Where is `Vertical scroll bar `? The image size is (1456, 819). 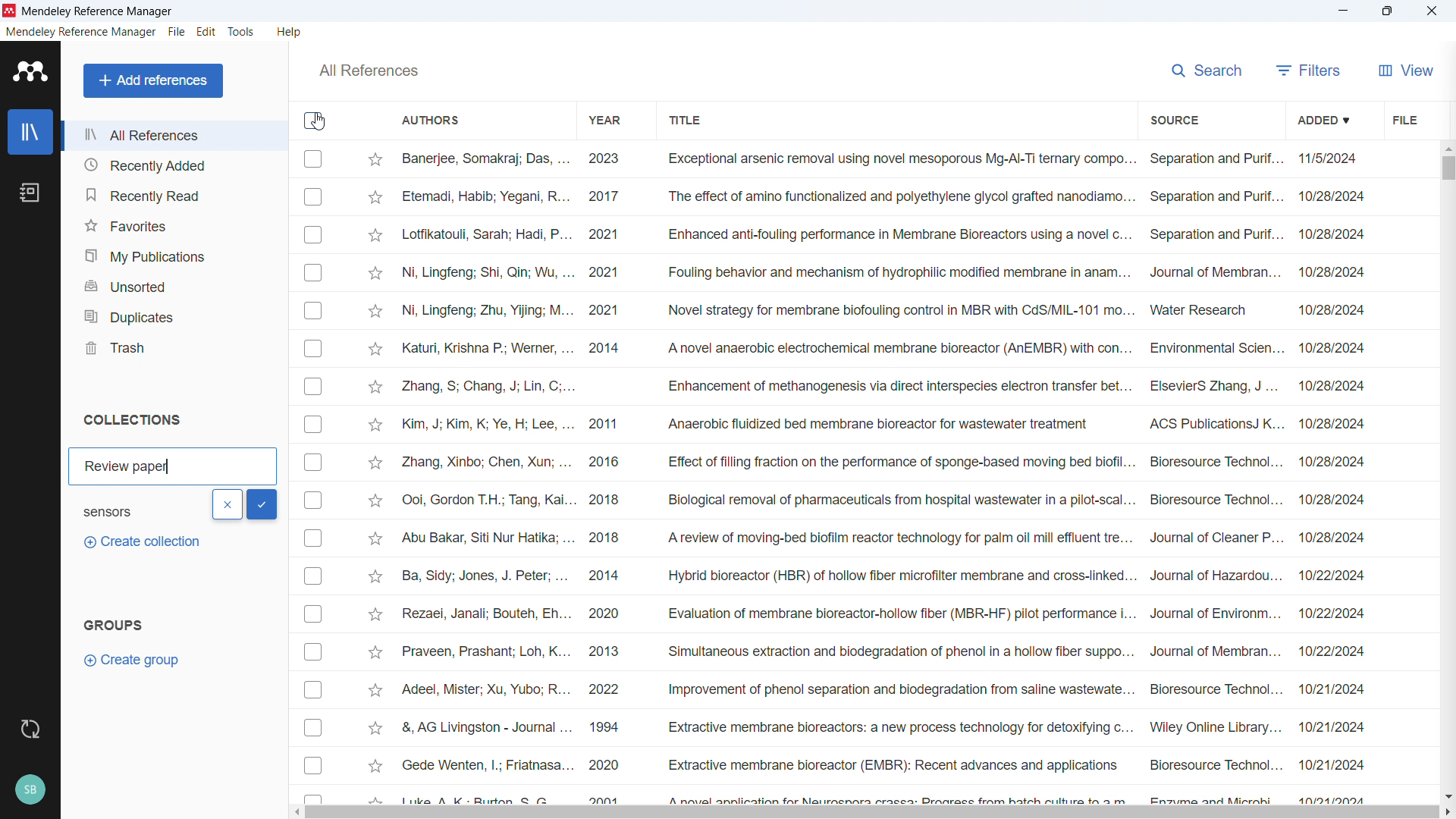 Vertical scroll bar  is located at coordinates (1445, 167).